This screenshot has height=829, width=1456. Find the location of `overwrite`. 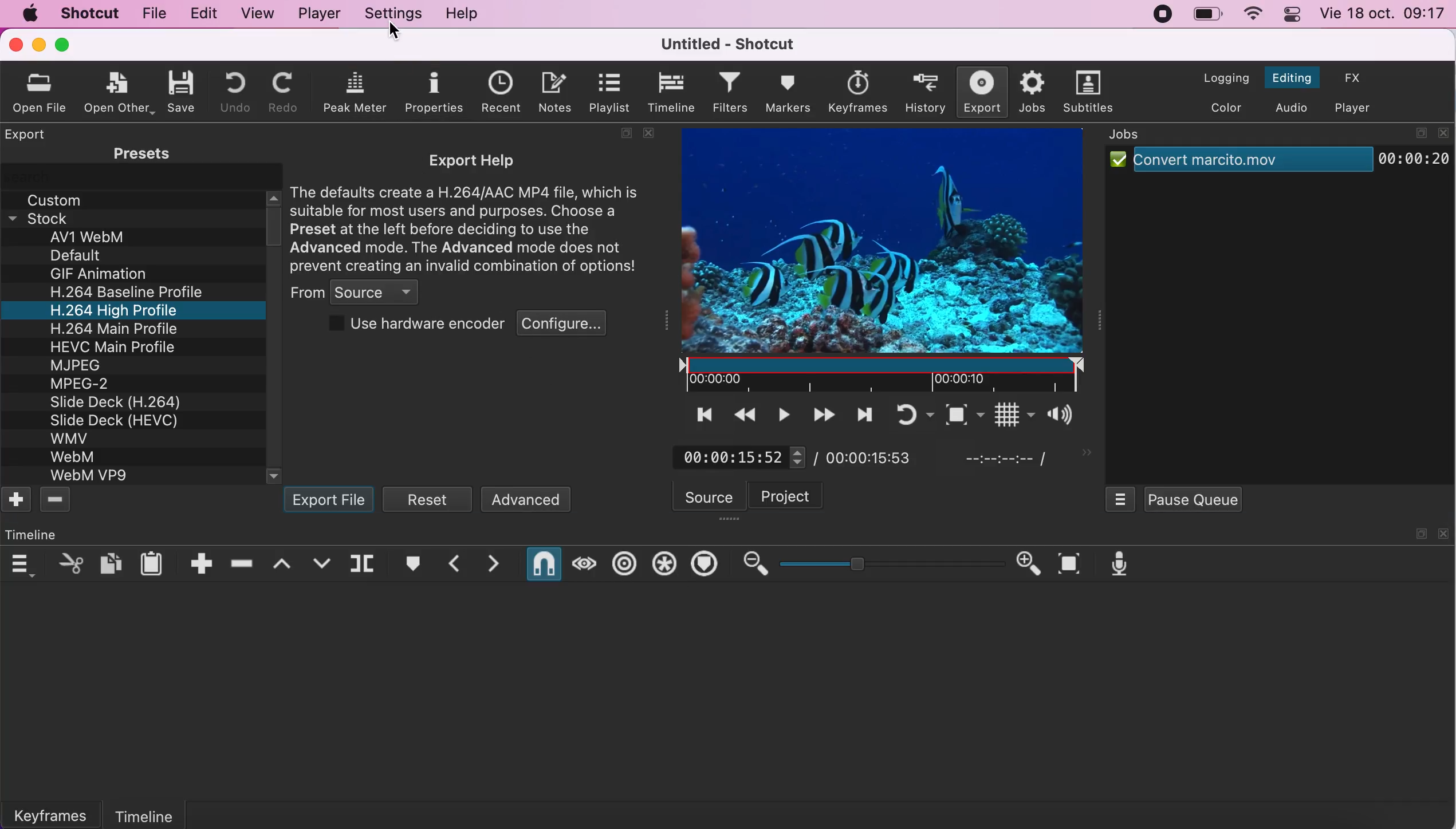

overwrite is located at coordinates (322, 563).